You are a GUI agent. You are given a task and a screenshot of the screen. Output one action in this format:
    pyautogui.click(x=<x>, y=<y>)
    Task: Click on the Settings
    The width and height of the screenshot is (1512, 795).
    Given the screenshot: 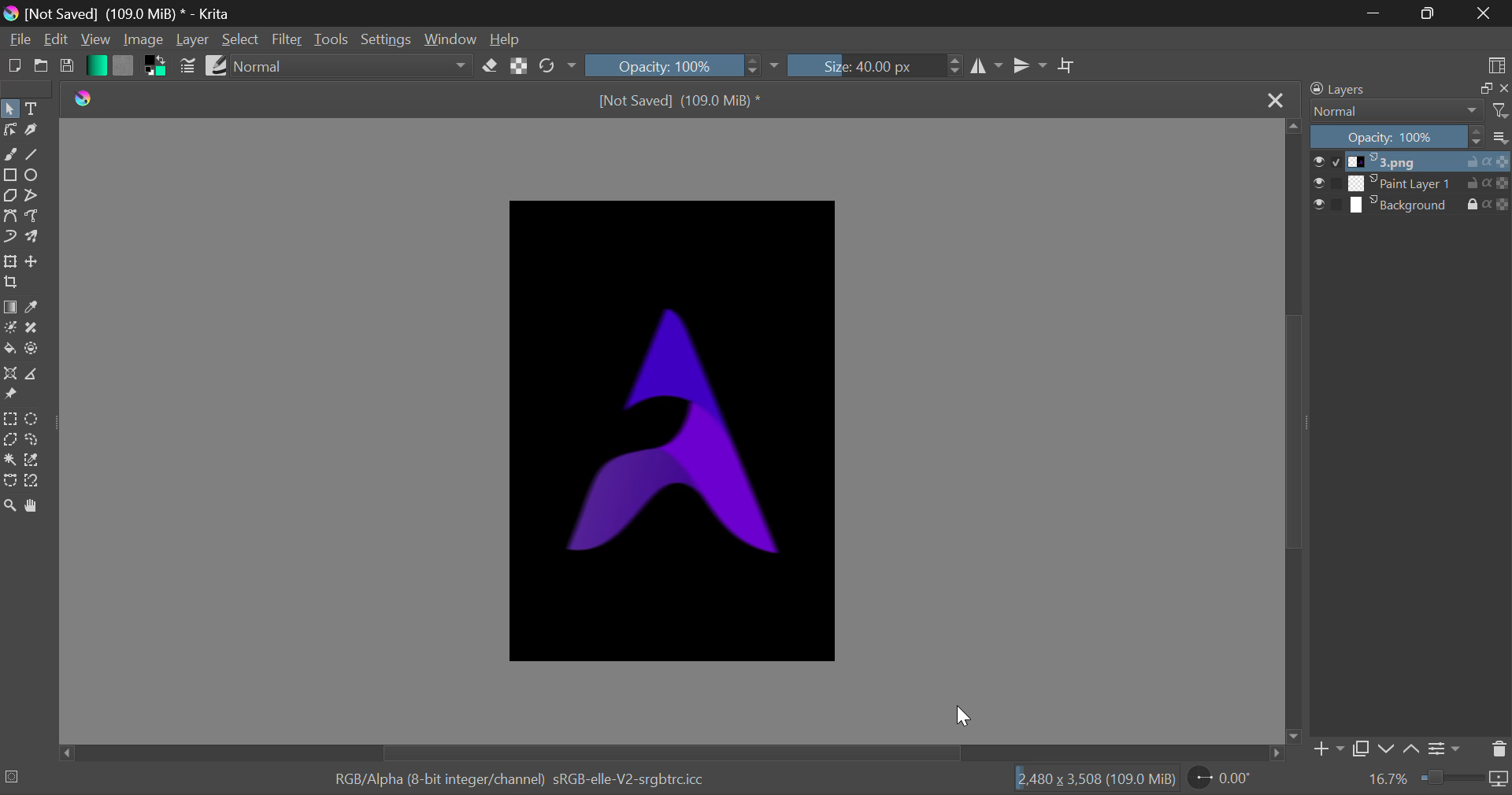 What is the action you would take?
    pyautogui.click(x=1447, y=747)
    